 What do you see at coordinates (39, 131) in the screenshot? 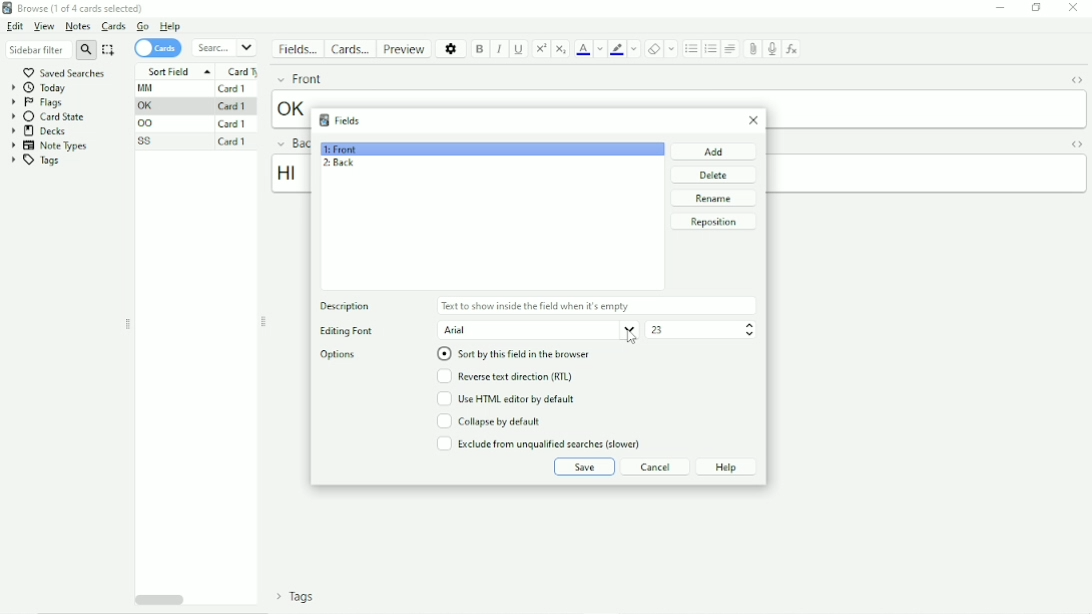
I see `Decks` at bounding box center [39, 131].